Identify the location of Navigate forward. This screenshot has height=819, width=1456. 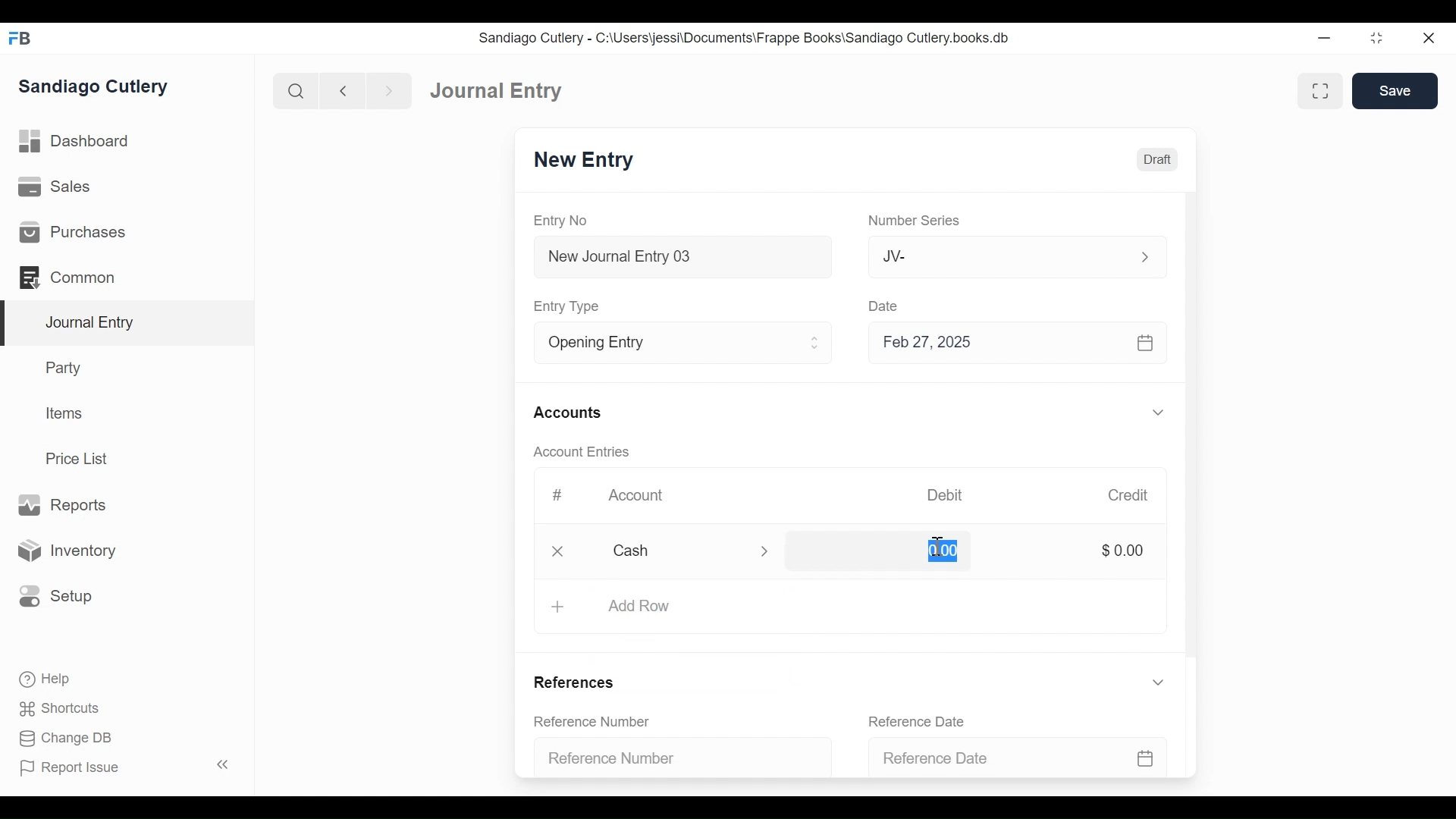
(388, 91).